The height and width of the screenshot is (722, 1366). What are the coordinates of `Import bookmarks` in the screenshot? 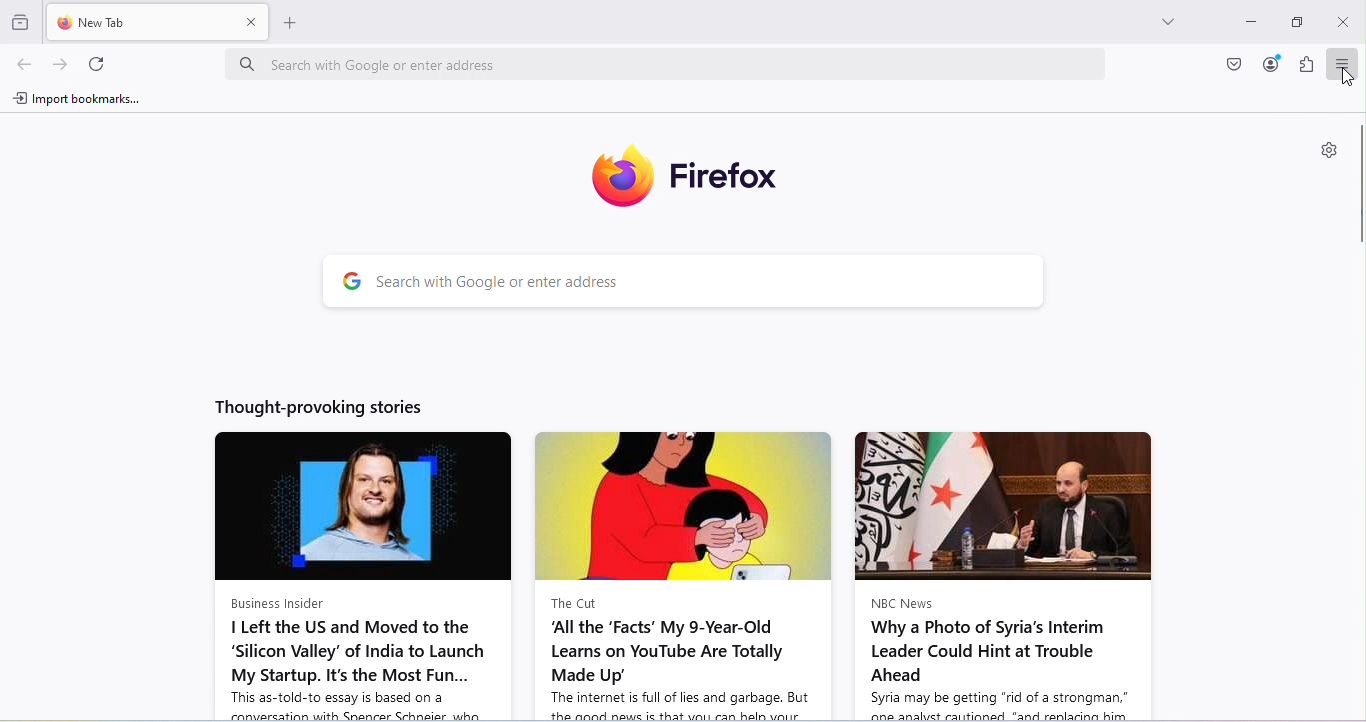 It's located at (78, 96).